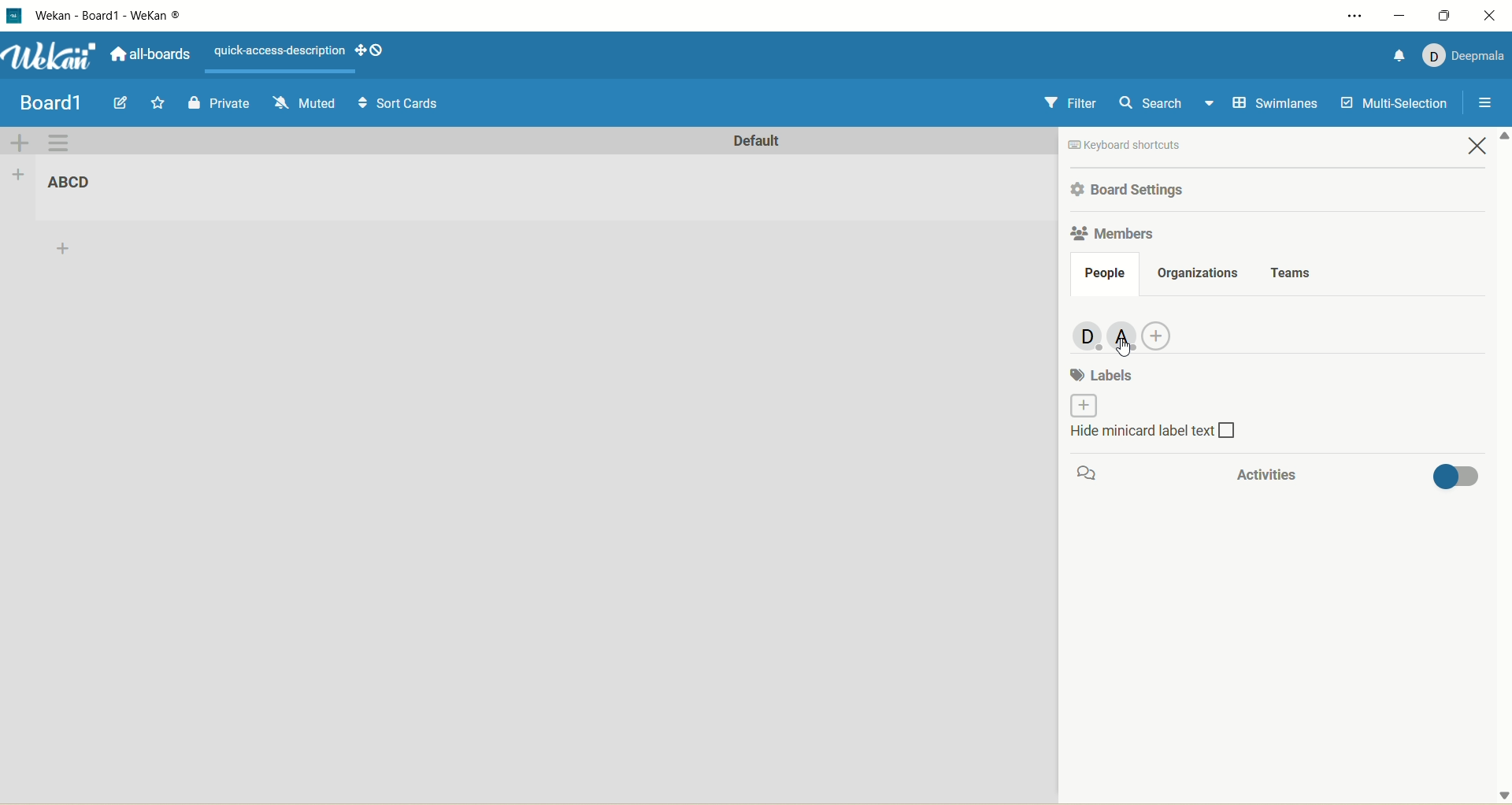 The width and height of the screenshot is (1512, 805). What do you see at coordinates (397, 102) in the screenshot?
I see `Sort Cards` at bounding box center [397, 102].